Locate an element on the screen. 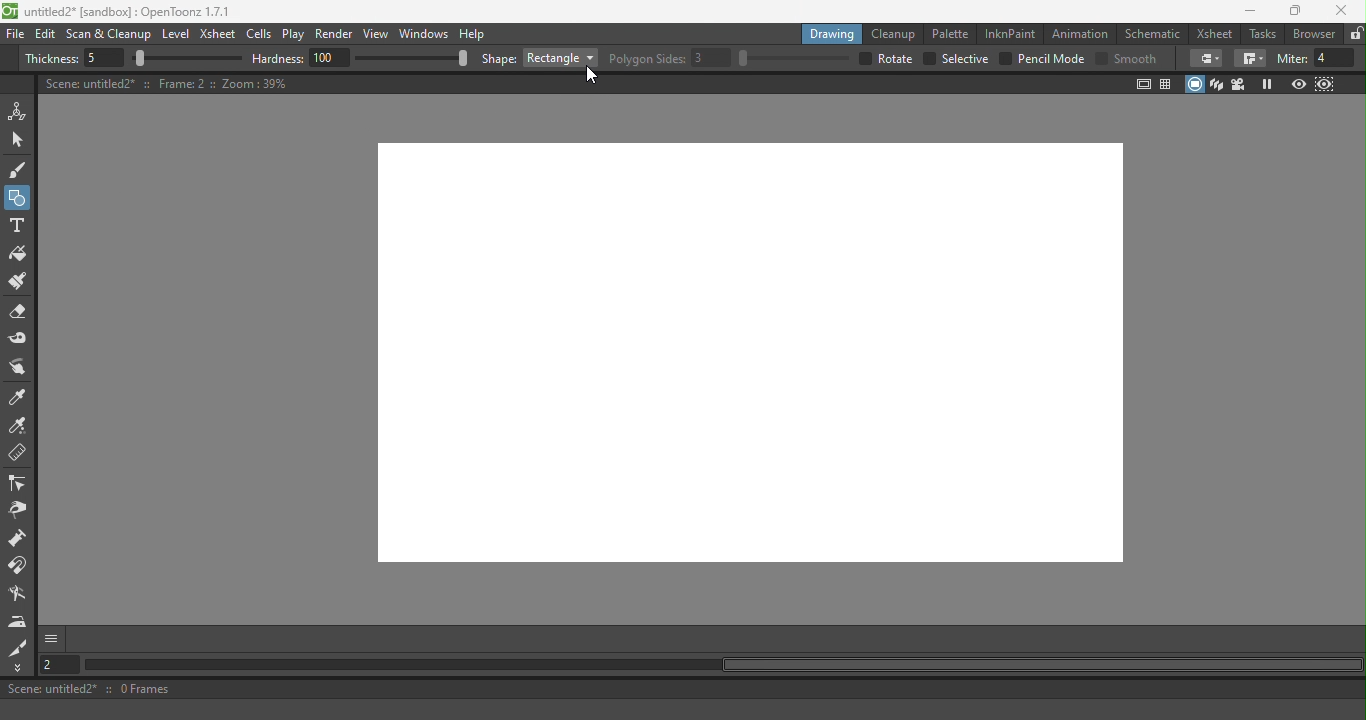 Image resolution: width=1366 pixels, height=720 pixels. Type tool is located at coordinates (20, 227).